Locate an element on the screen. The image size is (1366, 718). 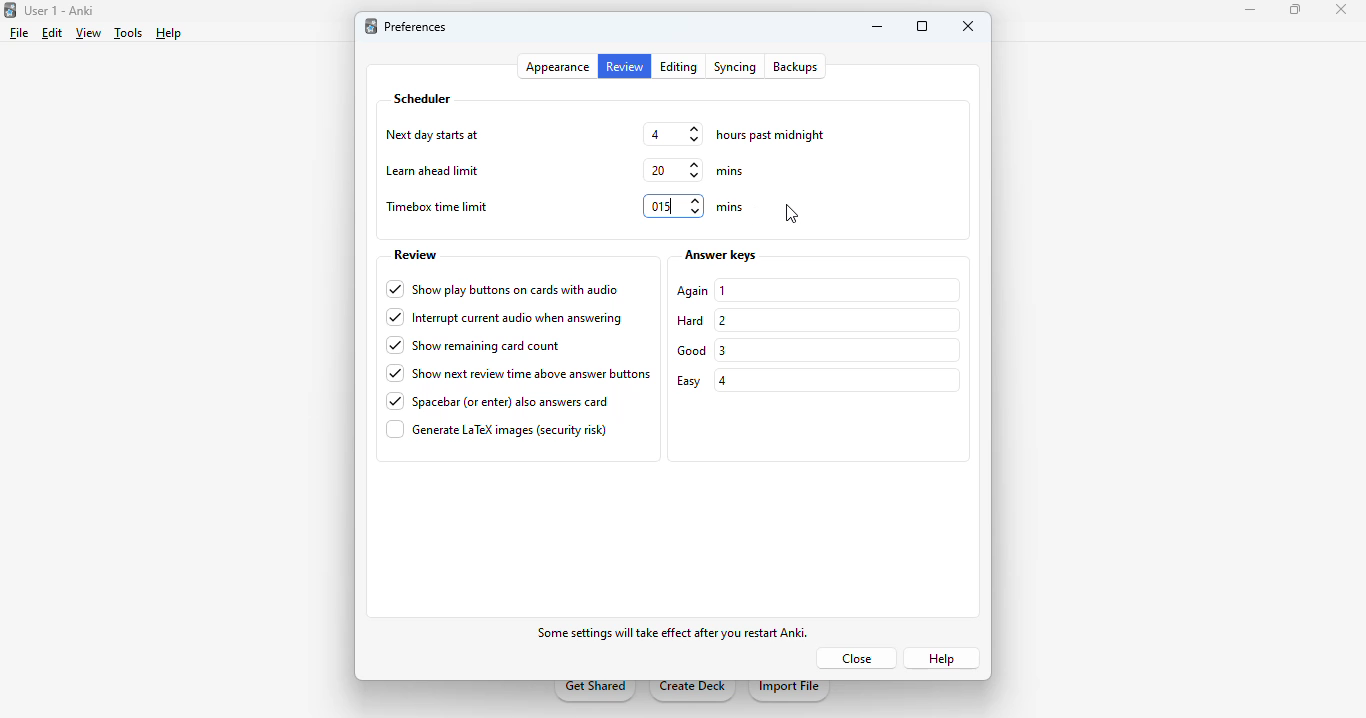
show play buttons on cards with audio is located at coordinates (502, 290).